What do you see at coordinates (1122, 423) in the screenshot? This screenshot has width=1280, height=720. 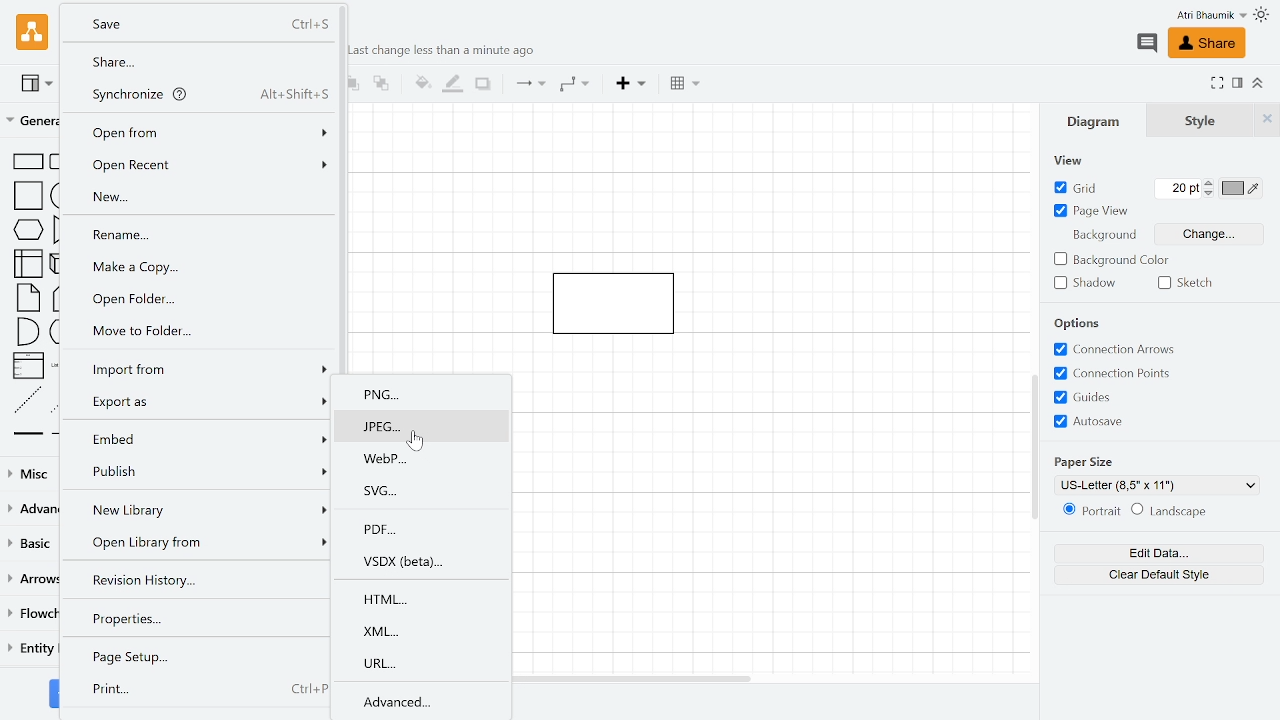 I see `Autosave` at bounding box center [1122, 423].